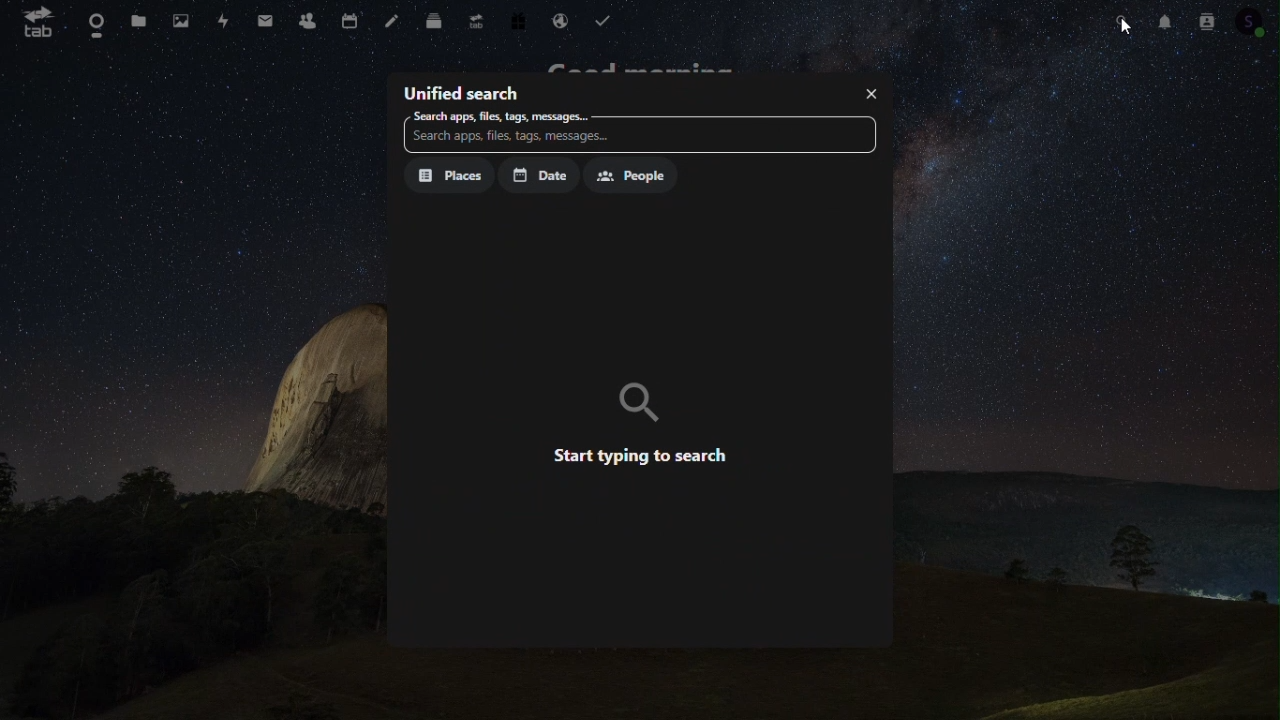  What do you see at coordinates (225, 22) in the screenshot?
I see `Activity ` at bounding box center [225, 22].